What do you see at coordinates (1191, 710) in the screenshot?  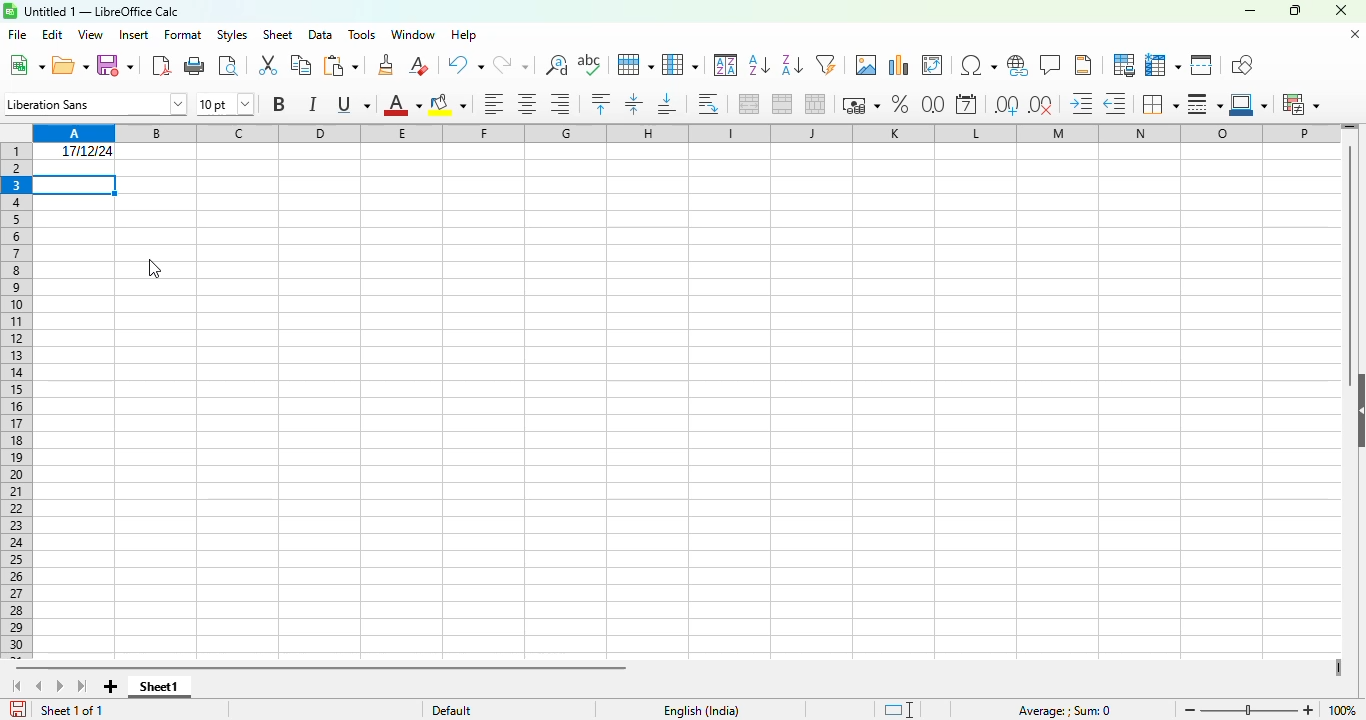 I see `zoom out` at bounding box center [1191, 710].